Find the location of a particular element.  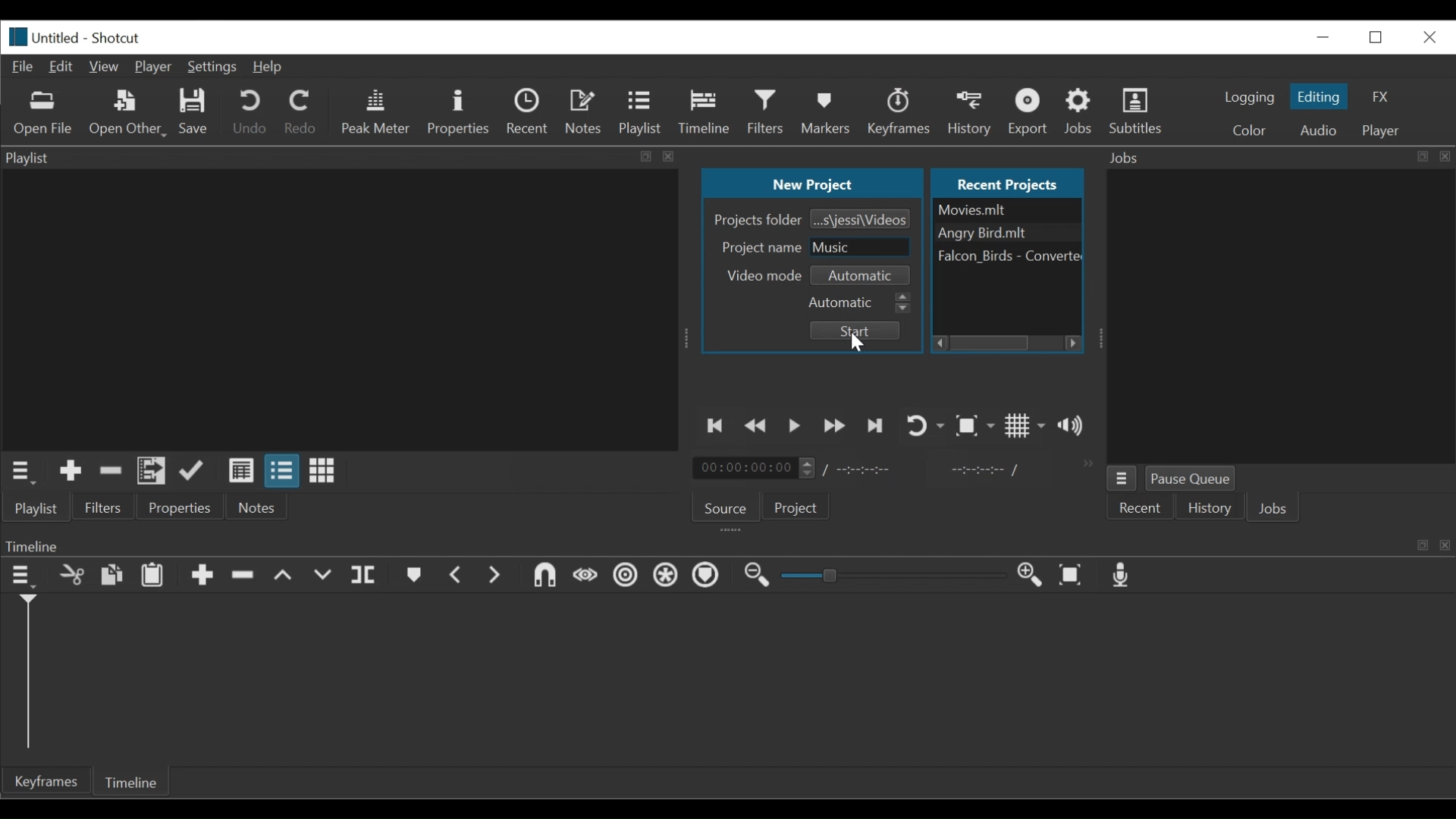

File Name is located at coordinates (45, 36).